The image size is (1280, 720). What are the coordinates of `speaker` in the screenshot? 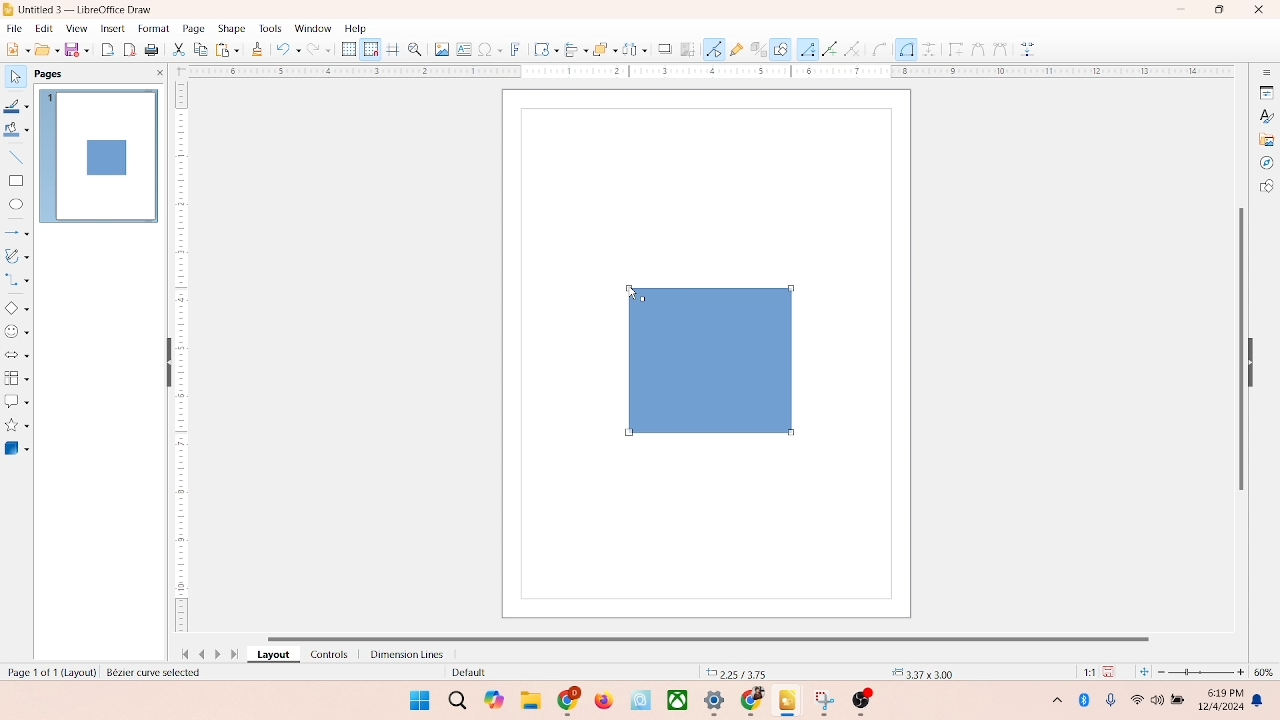 It's located at (1160, 700).